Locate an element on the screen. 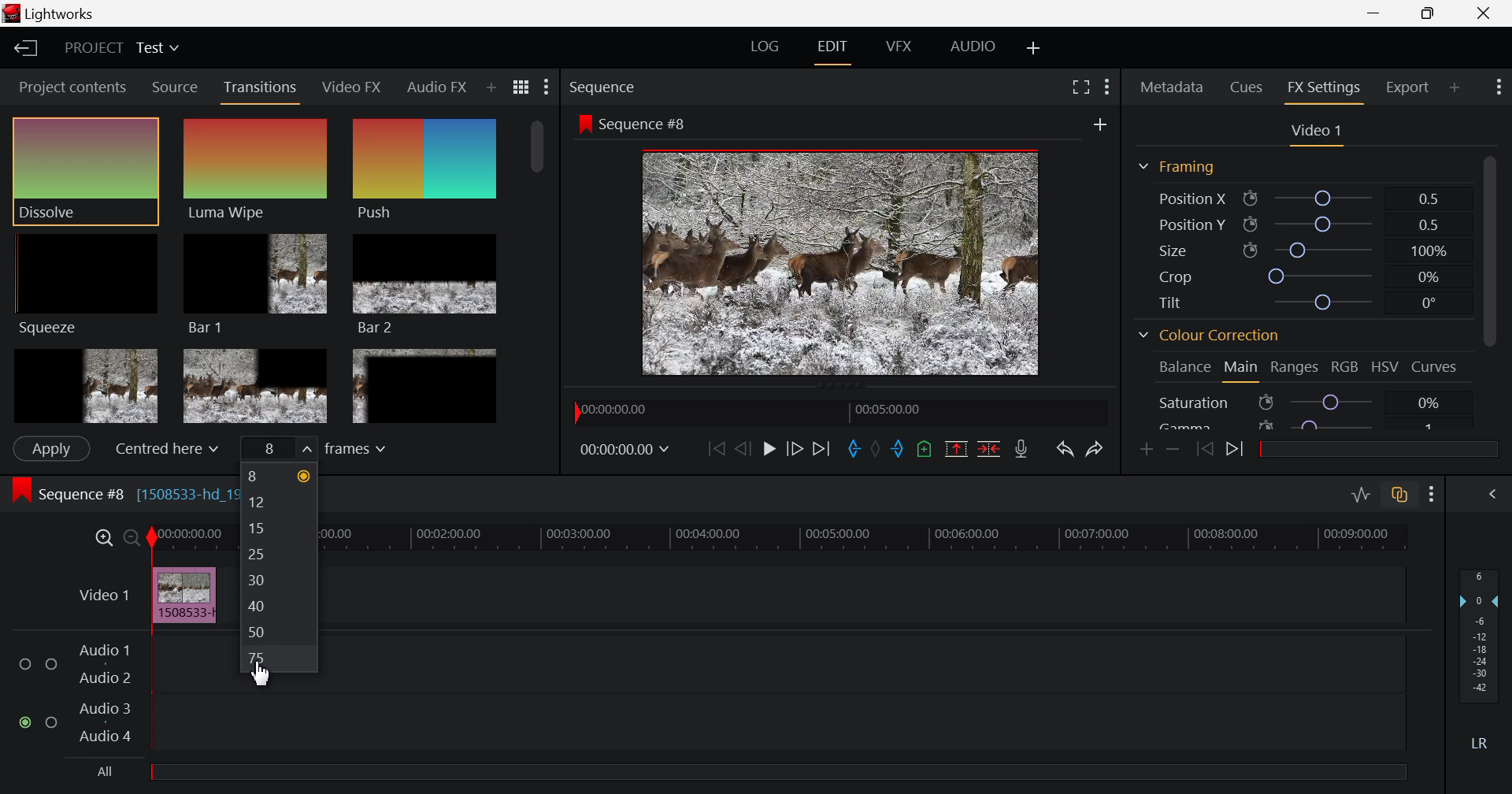 This screenshot has width=1512, height=794. Timeline is located at coordinates (866, 540).